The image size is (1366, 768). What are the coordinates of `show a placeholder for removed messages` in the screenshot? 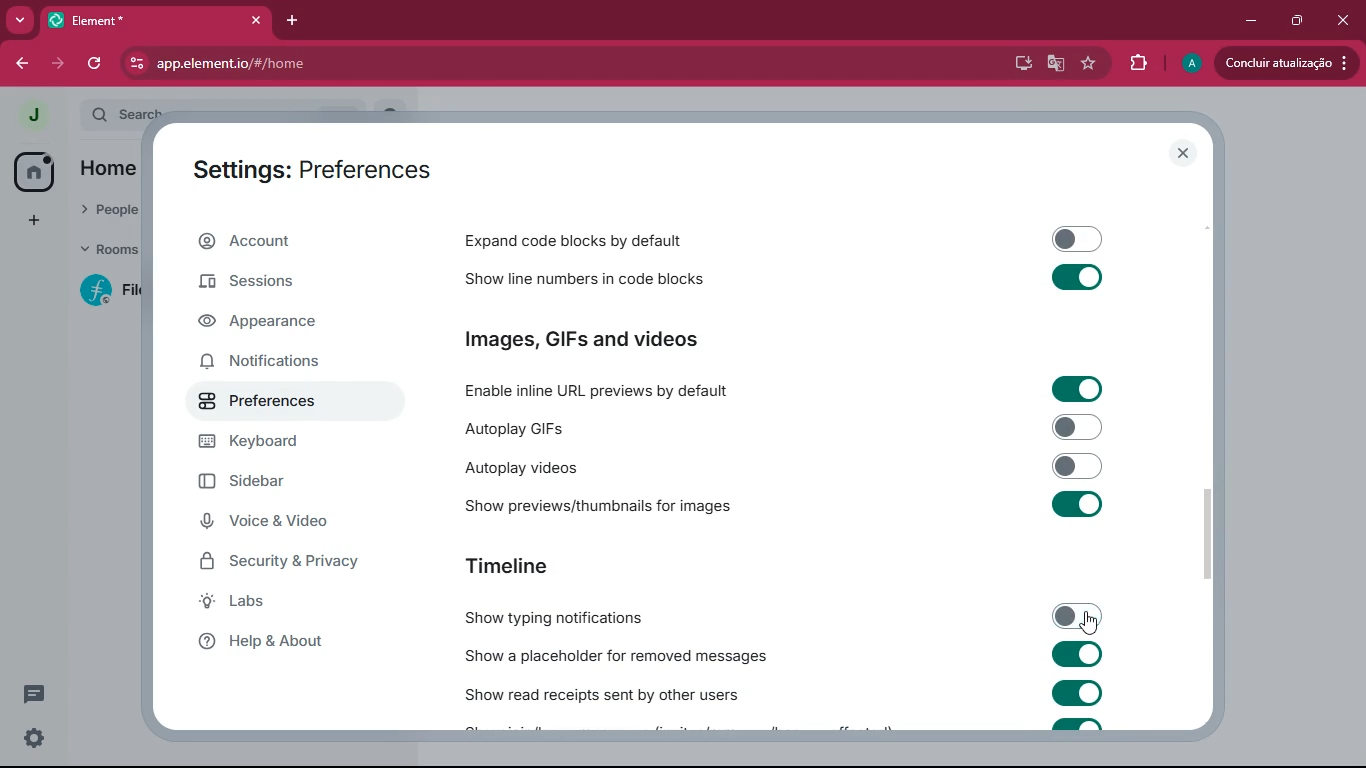 It's located at (616, 653).